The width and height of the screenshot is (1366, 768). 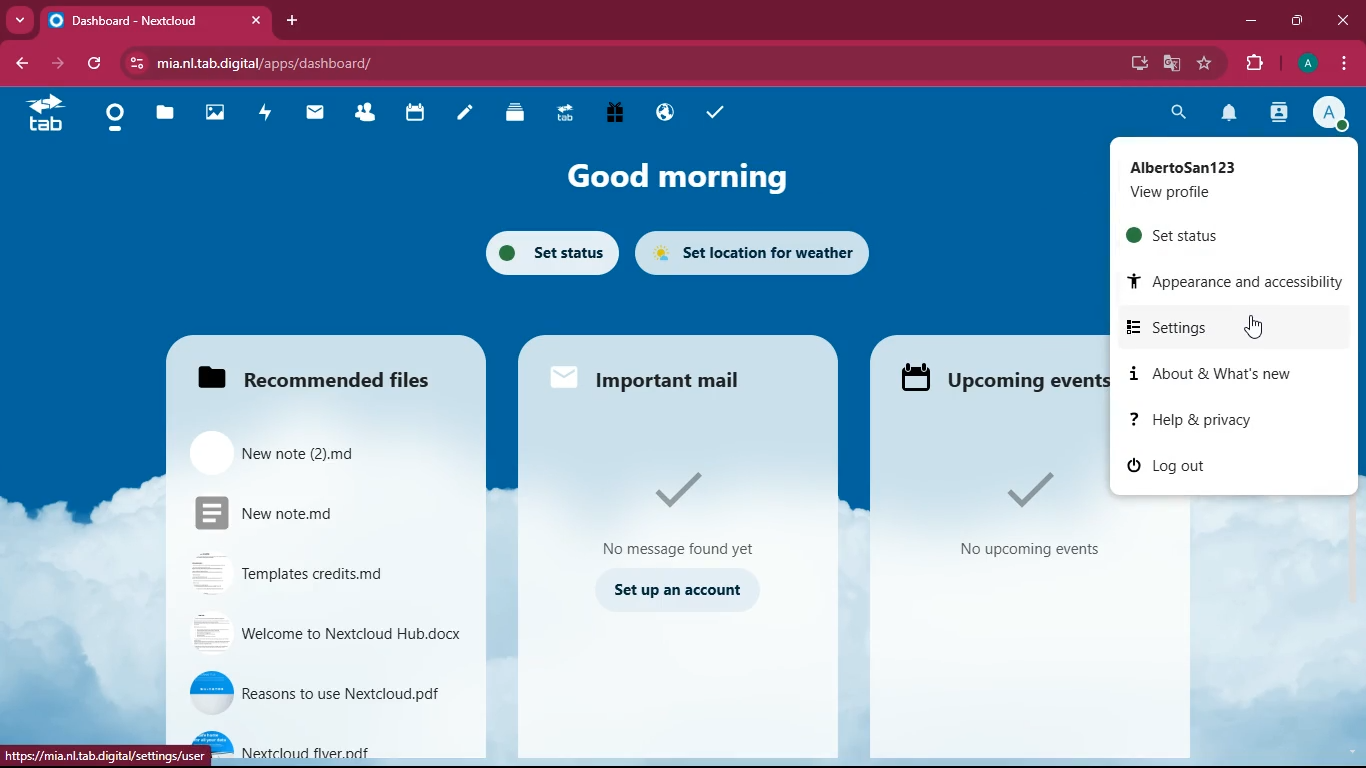 I want to click on Dashboard, so click(x=115, y=119).